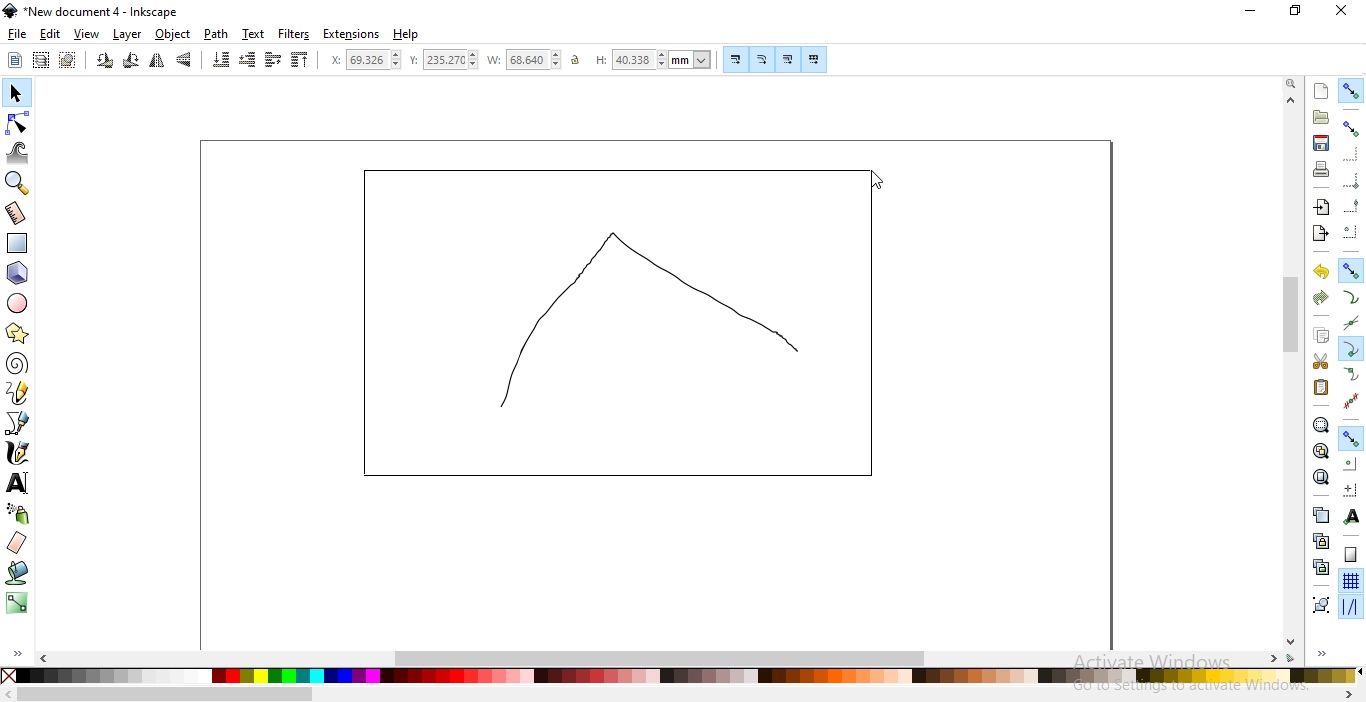  Describe the element at coordinates (248, 60) in the screenshot. I see `lower selection one step` at that location.